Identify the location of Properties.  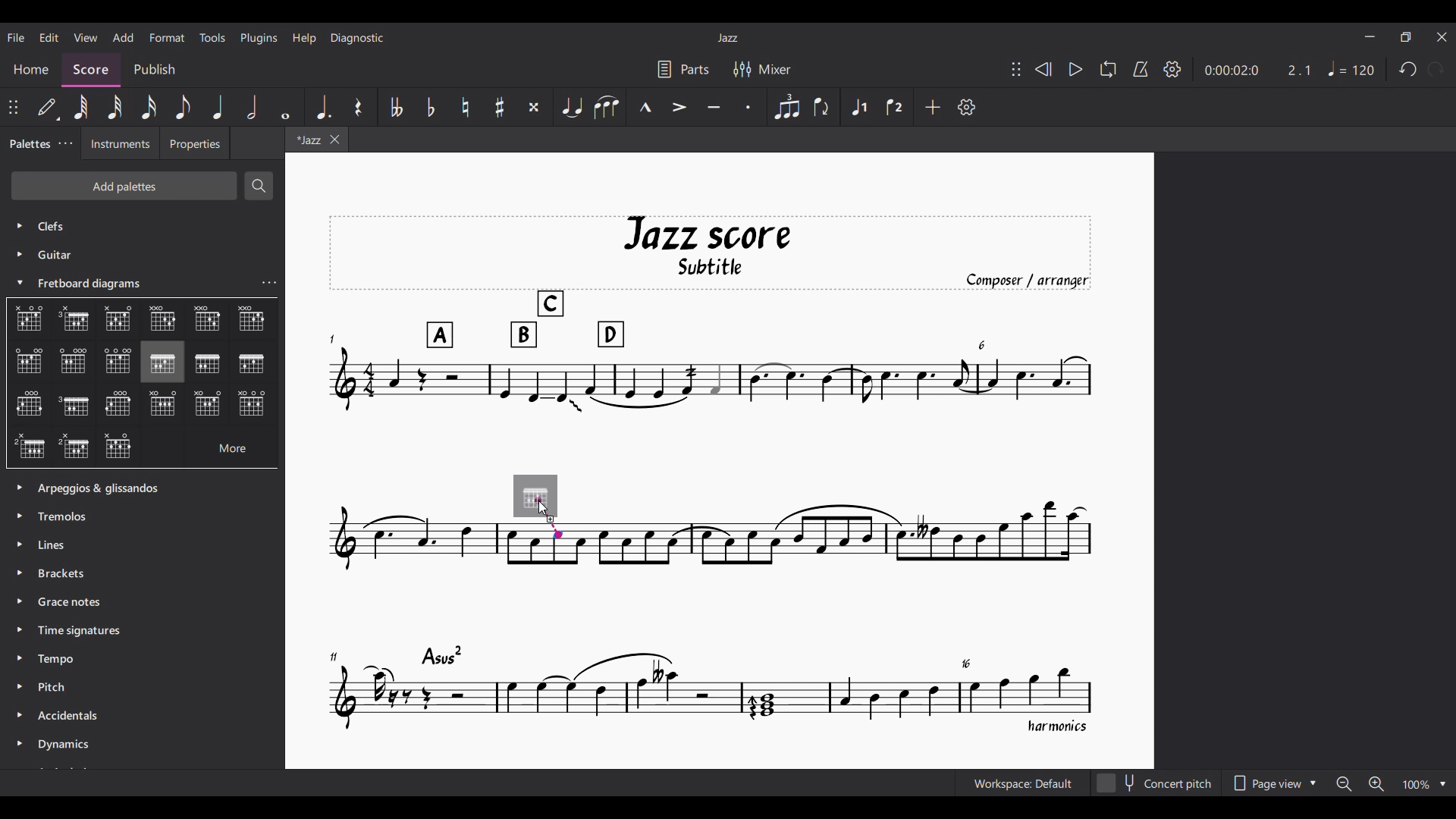
(195, 143).